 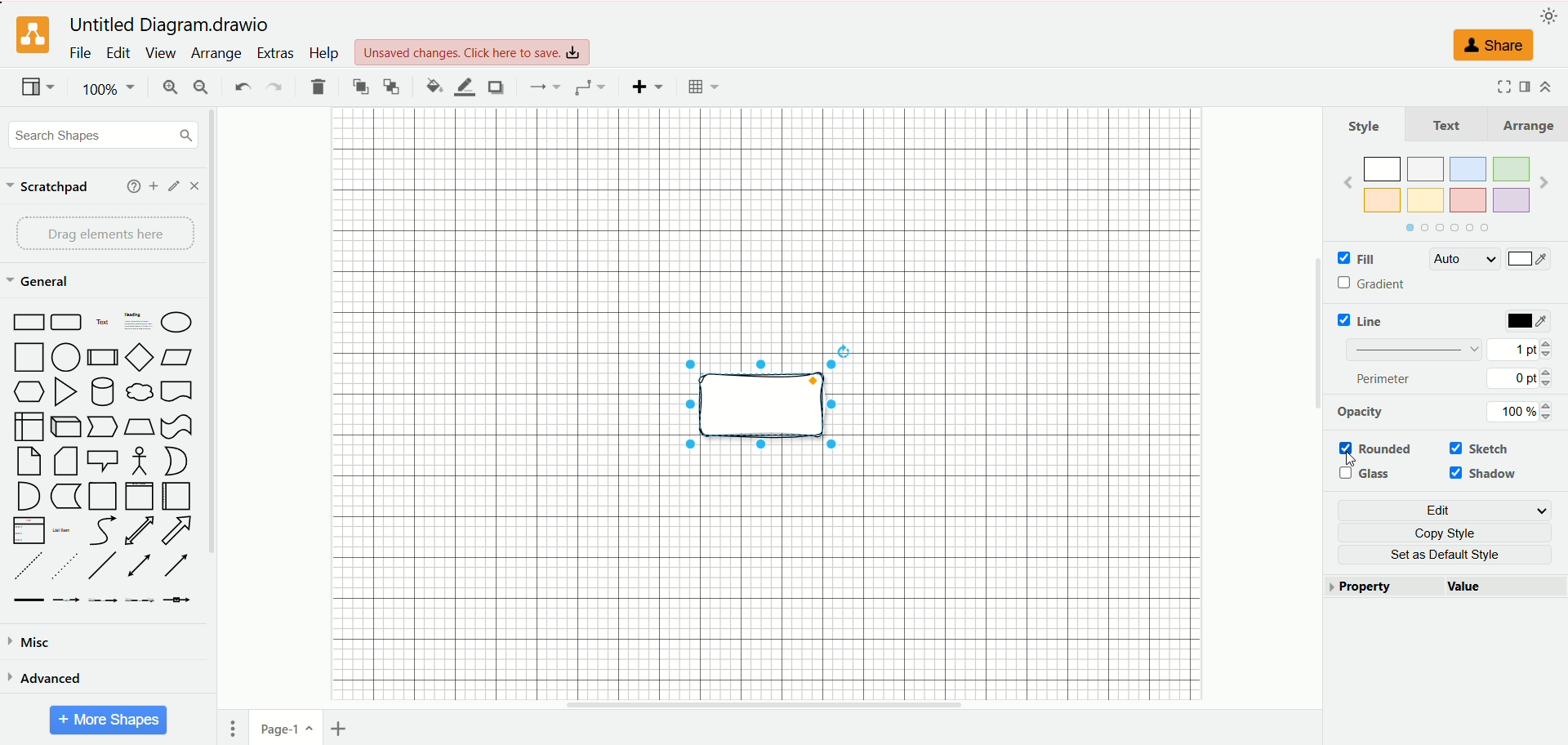 What do you see at coordinates (318, 87) in the screenshot?
I see `delete` at bounding box center [318, 87].